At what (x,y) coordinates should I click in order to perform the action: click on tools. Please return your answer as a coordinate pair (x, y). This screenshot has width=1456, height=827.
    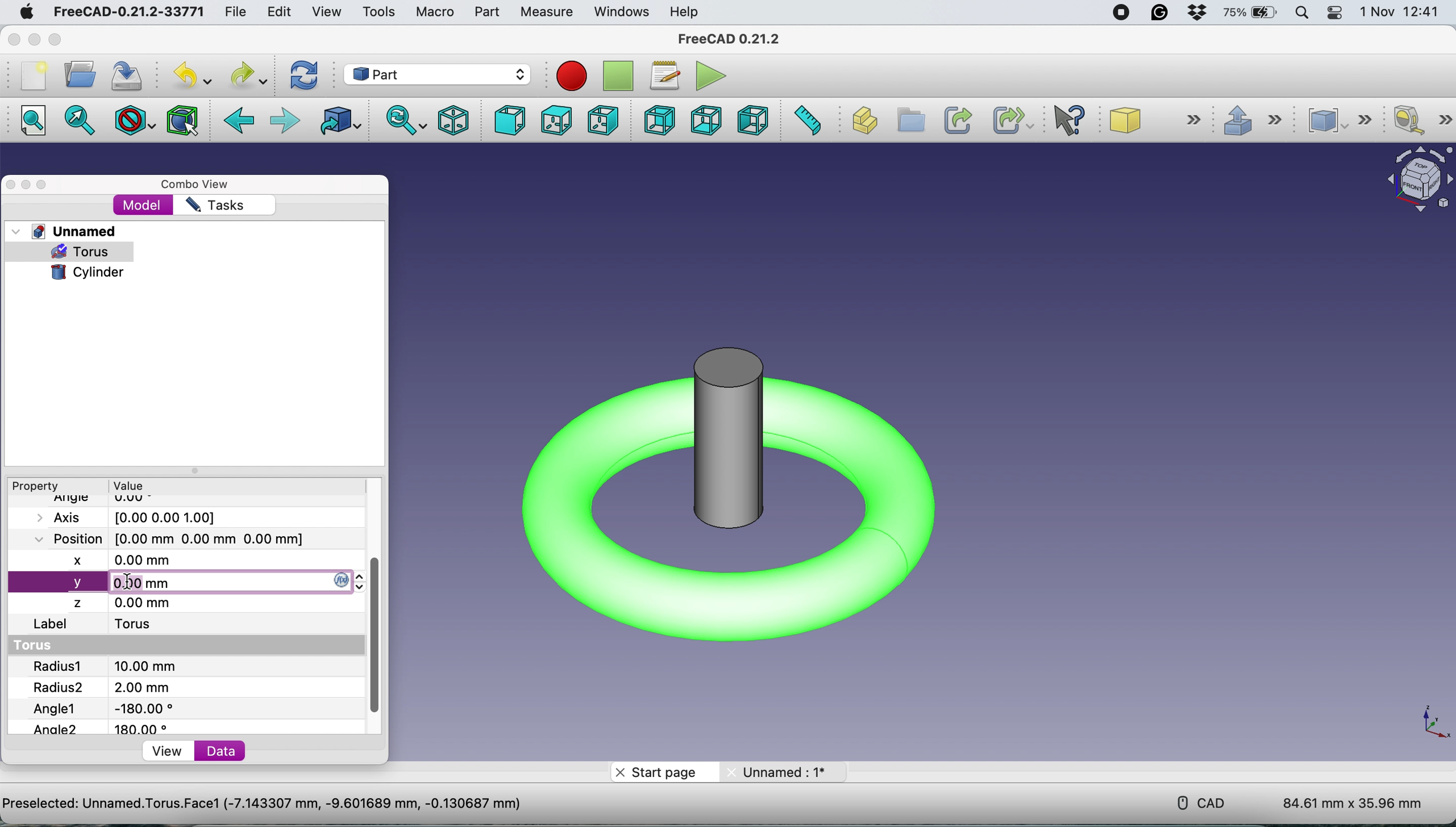
    Looking at the image, I should click on (379, 12).